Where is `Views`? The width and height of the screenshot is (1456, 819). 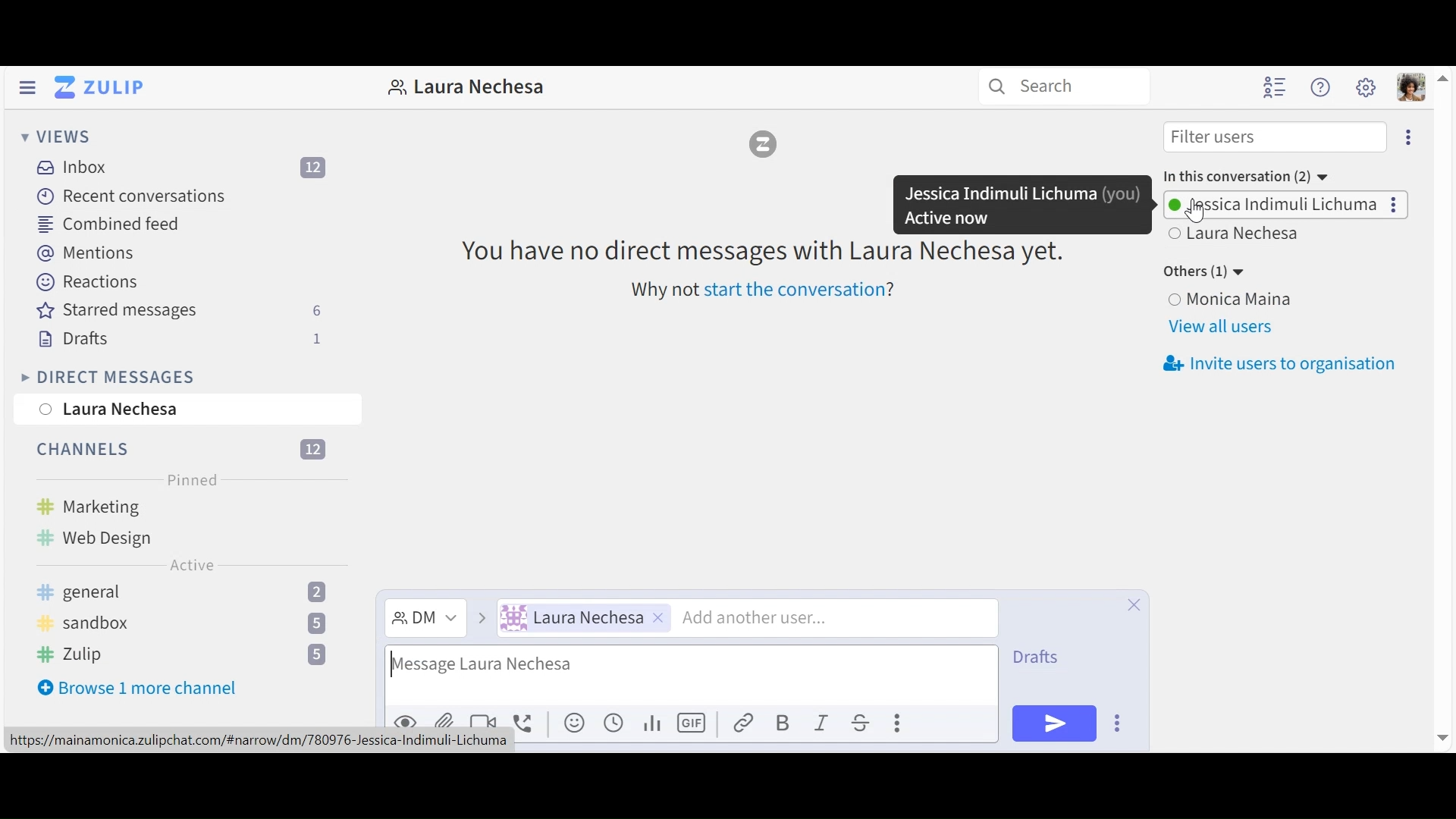
Views is located at coordinates (55, 136).